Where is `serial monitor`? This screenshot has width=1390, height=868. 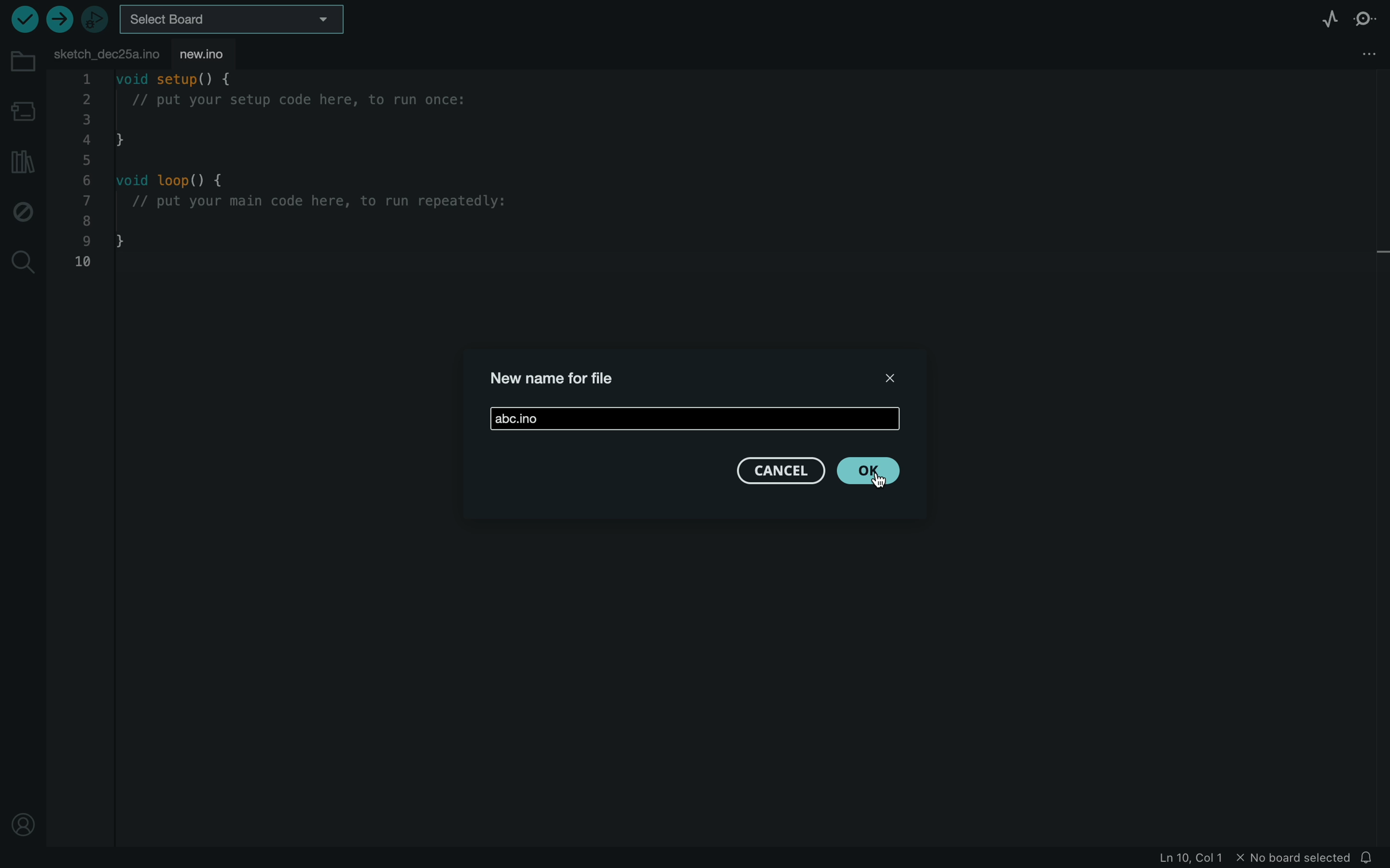
serial monitor is located at coordinates (1364, 20).